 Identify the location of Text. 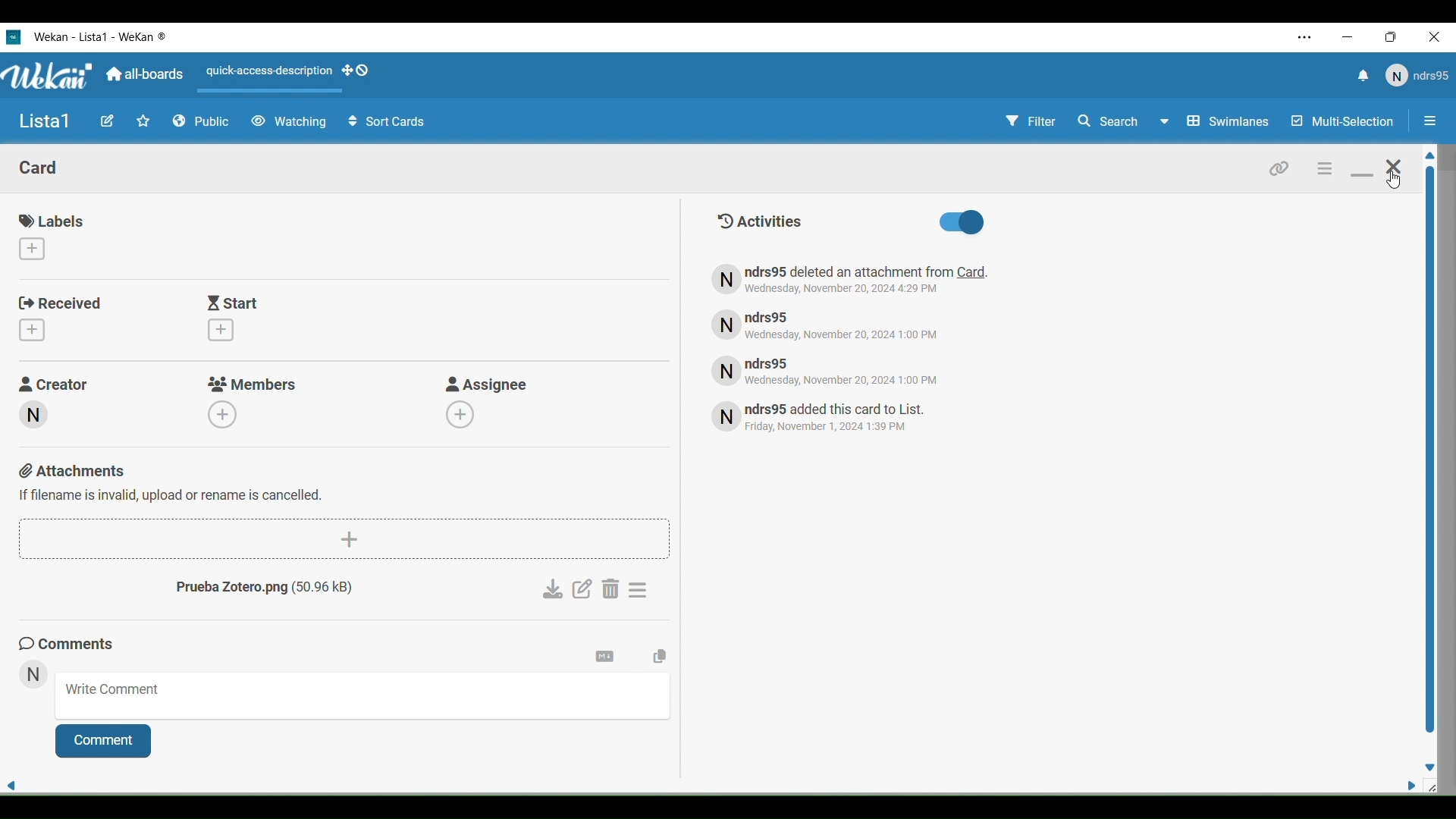
(278, 590).